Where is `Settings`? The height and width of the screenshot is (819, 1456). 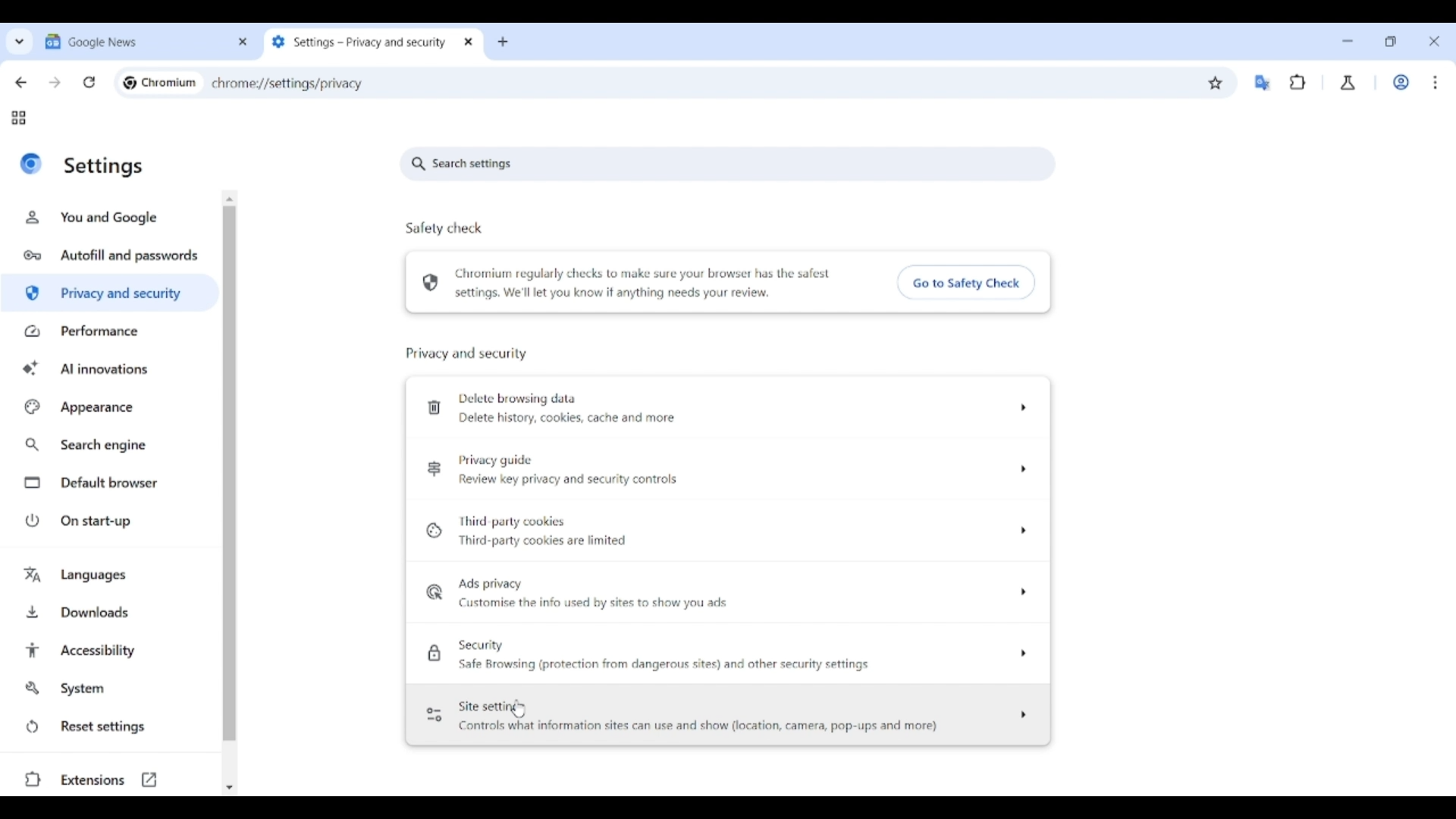 Settings is located at coordinates (105, 166).